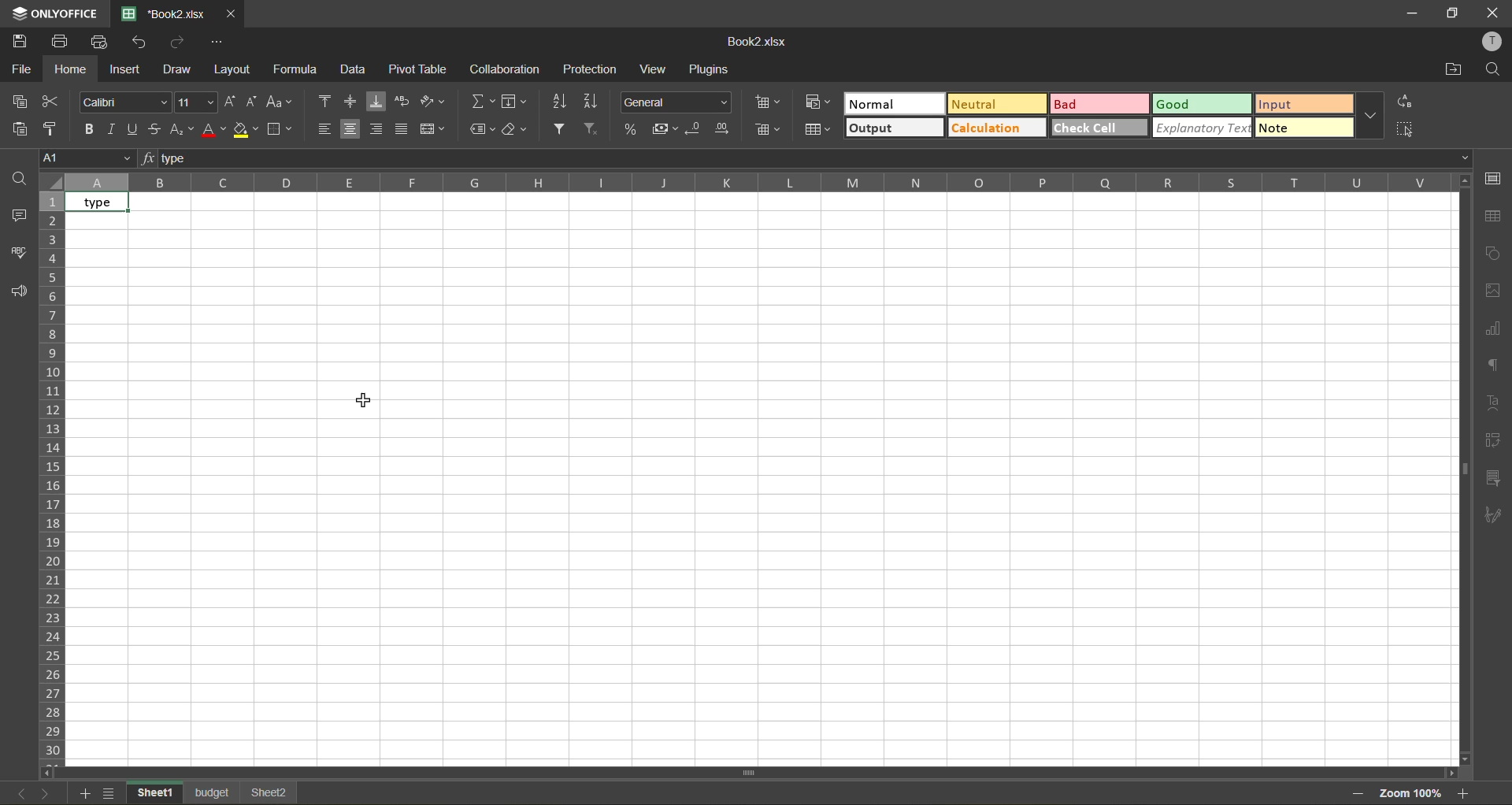  Describe the element at coordinates (16, 792) in the screenshot. I see `previous` at that location.